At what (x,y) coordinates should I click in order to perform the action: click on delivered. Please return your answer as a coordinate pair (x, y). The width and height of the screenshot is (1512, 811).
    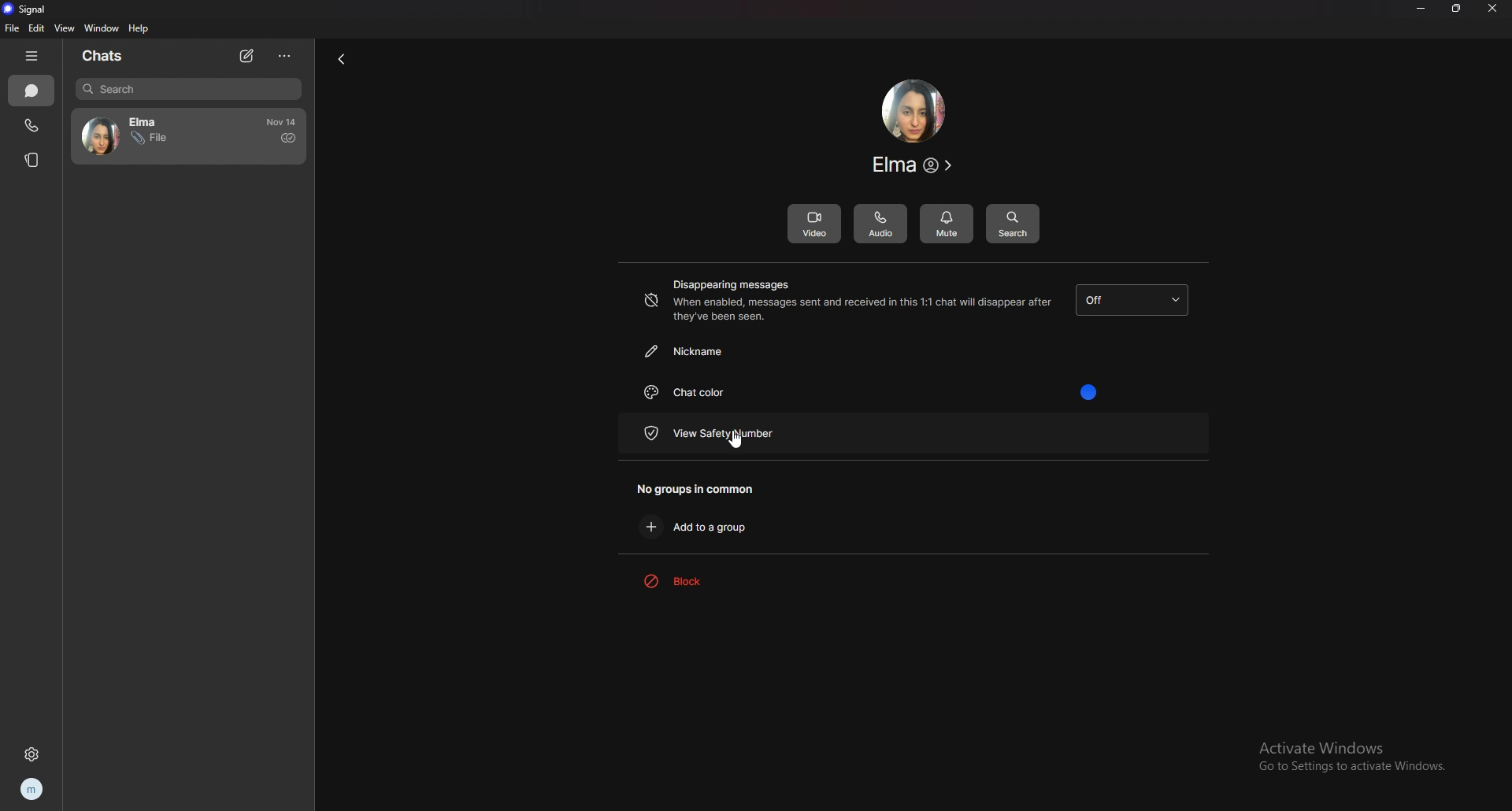
    Looking at the image, I should click on (287, 138).